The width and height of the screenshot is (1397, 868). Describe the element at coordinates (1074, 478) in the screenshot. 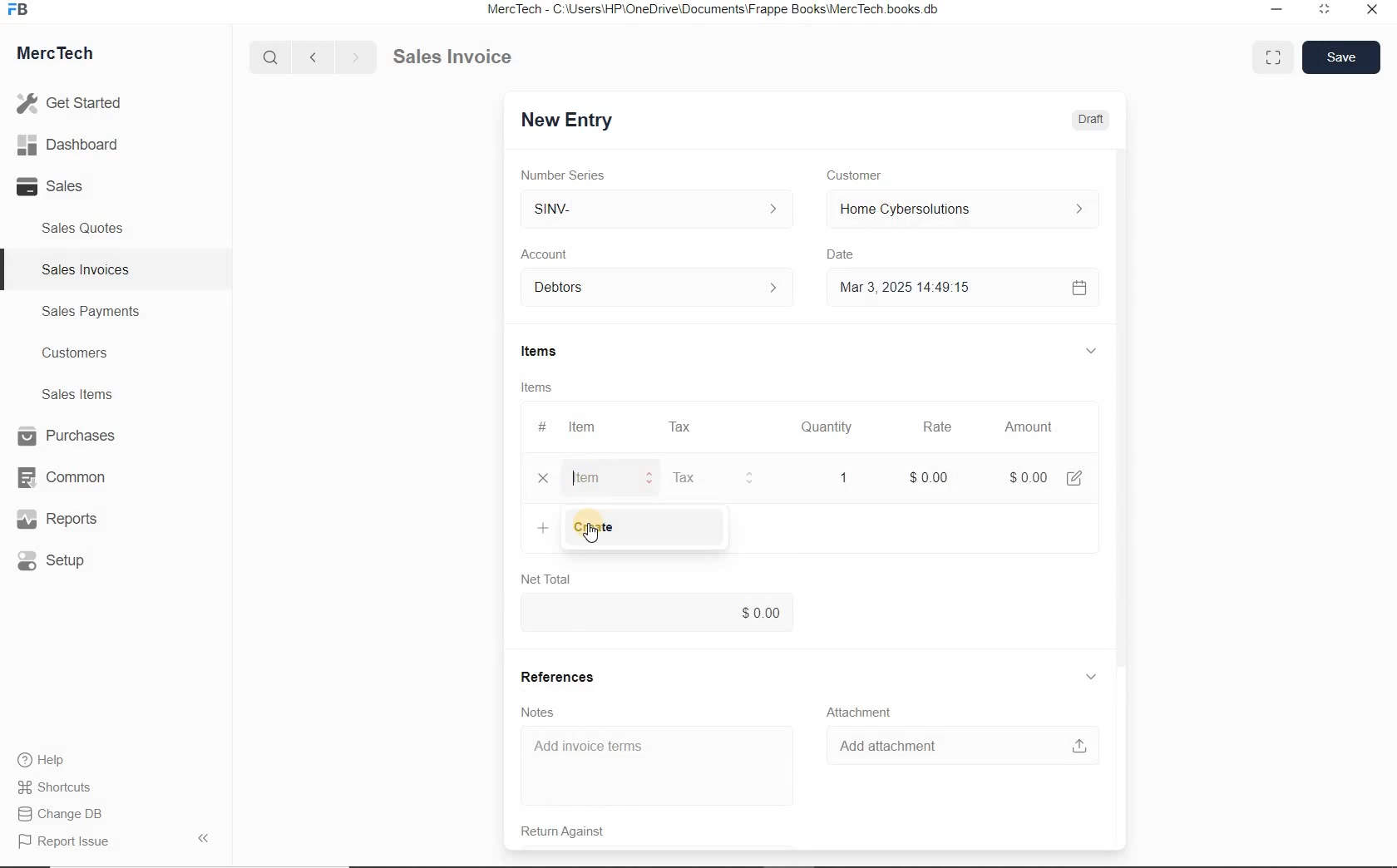

I see `edit` at that location.